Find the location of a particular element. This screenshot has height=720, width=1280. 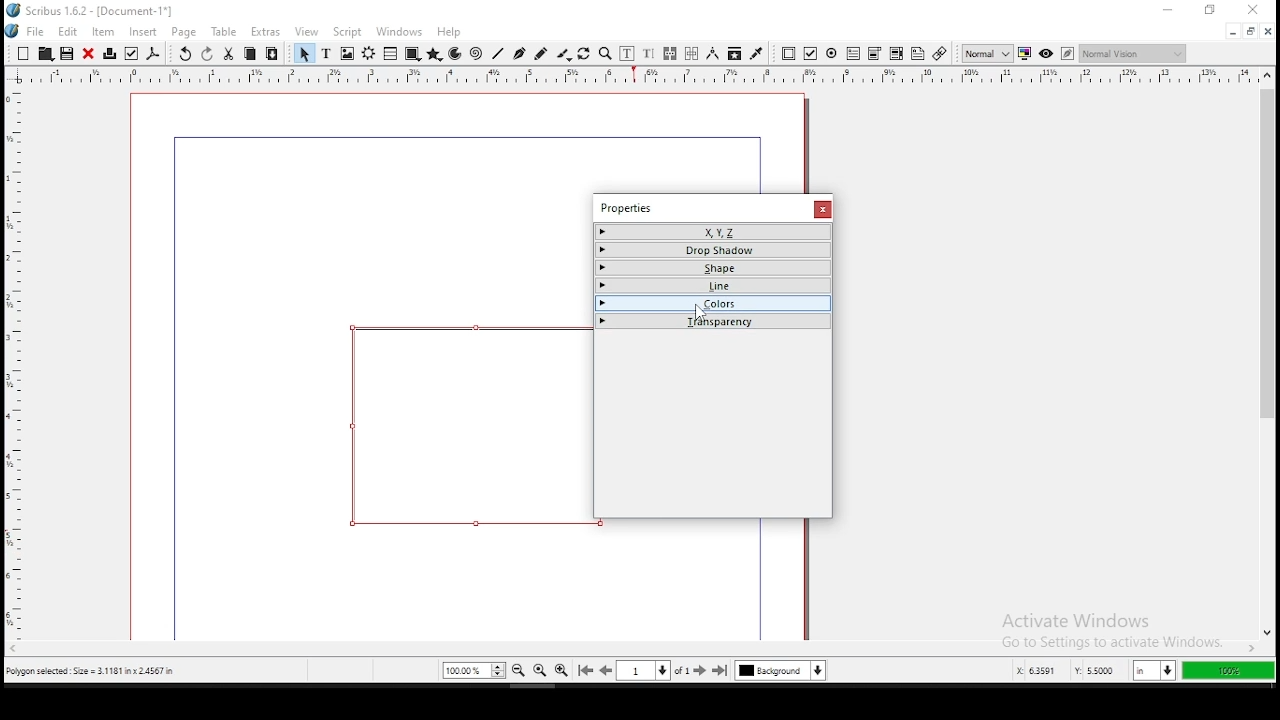

normal vision is located at coordinates (1133, 54).